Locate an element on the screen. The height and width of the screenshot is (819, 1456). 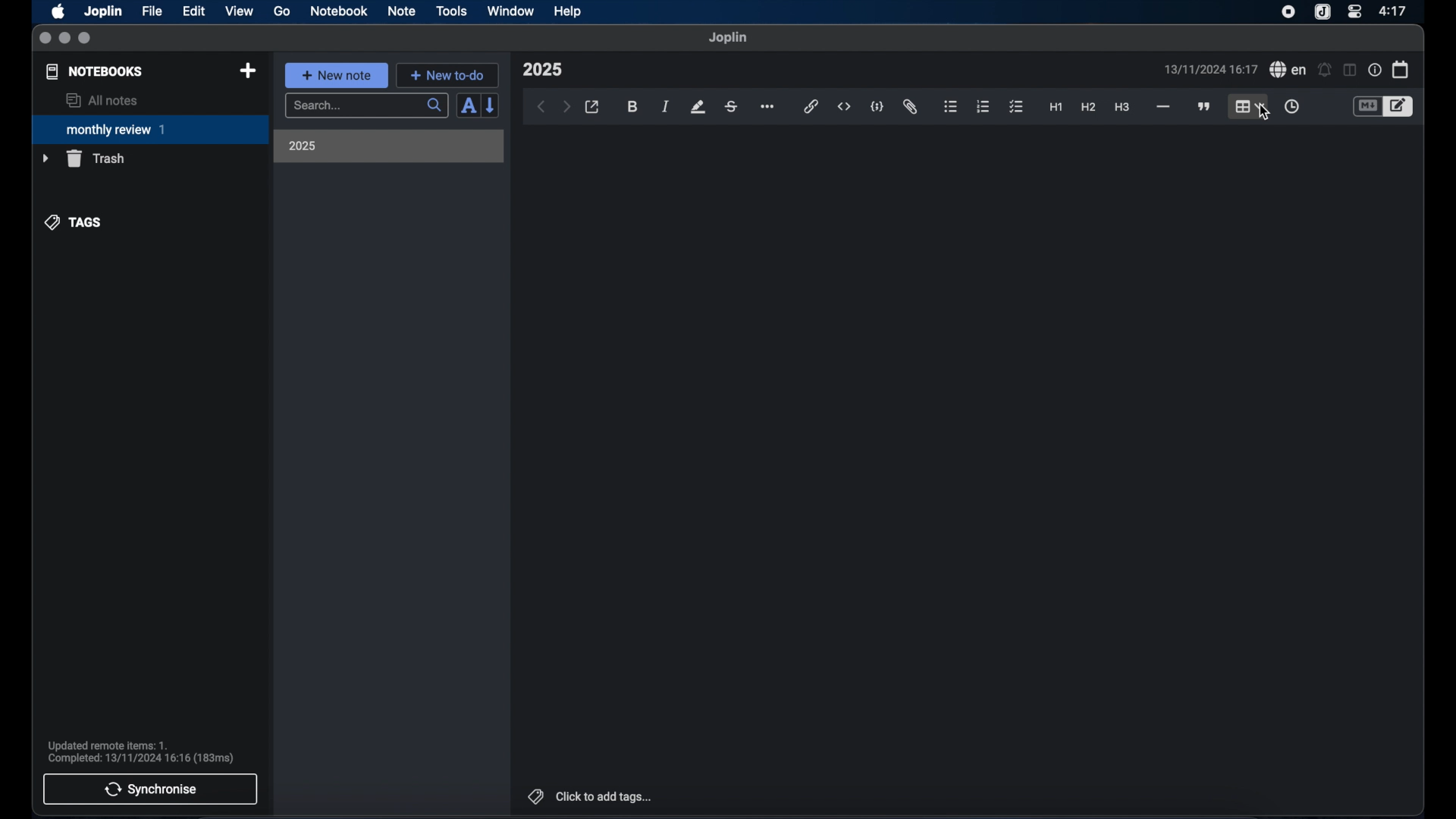
edit is located at coordinates (195, 11).